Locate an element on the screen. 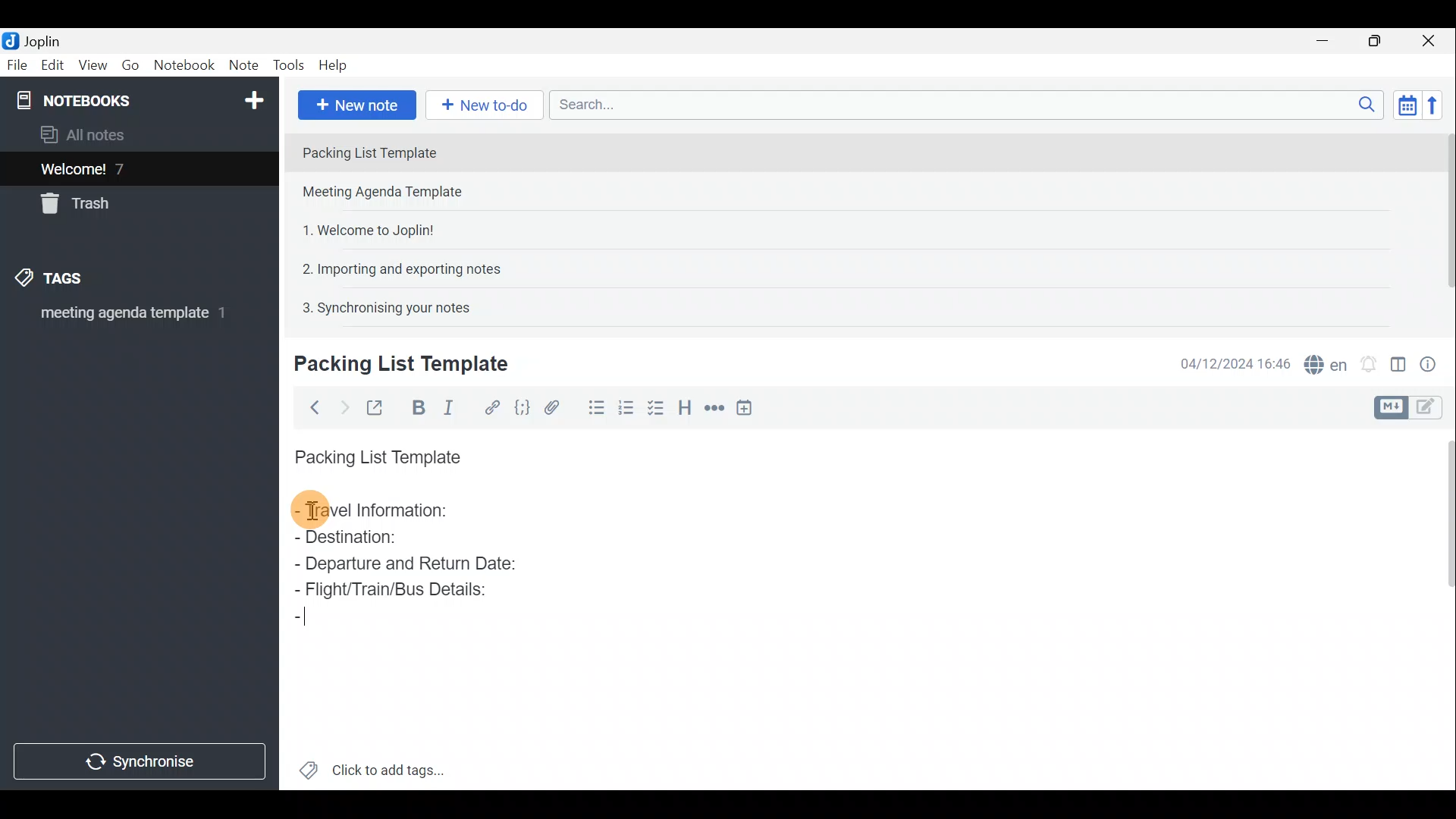 Image resolution: width=1456 pixels, height=819 pixels. Minimise is located at coordinates (1330, 43).